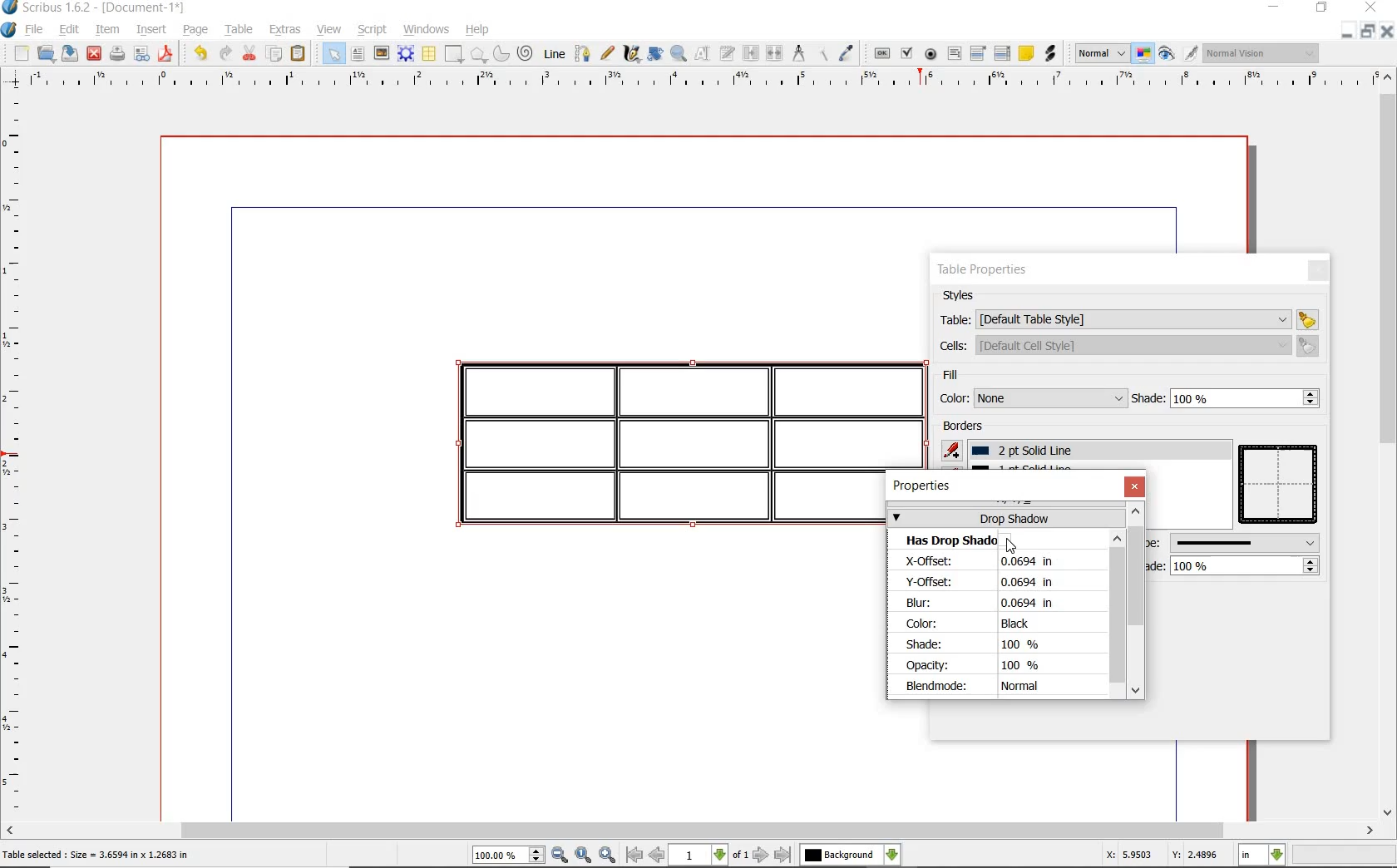 This screenshot has width=1397, height=868. I want to click on zoom factor, so click(1344, 856).